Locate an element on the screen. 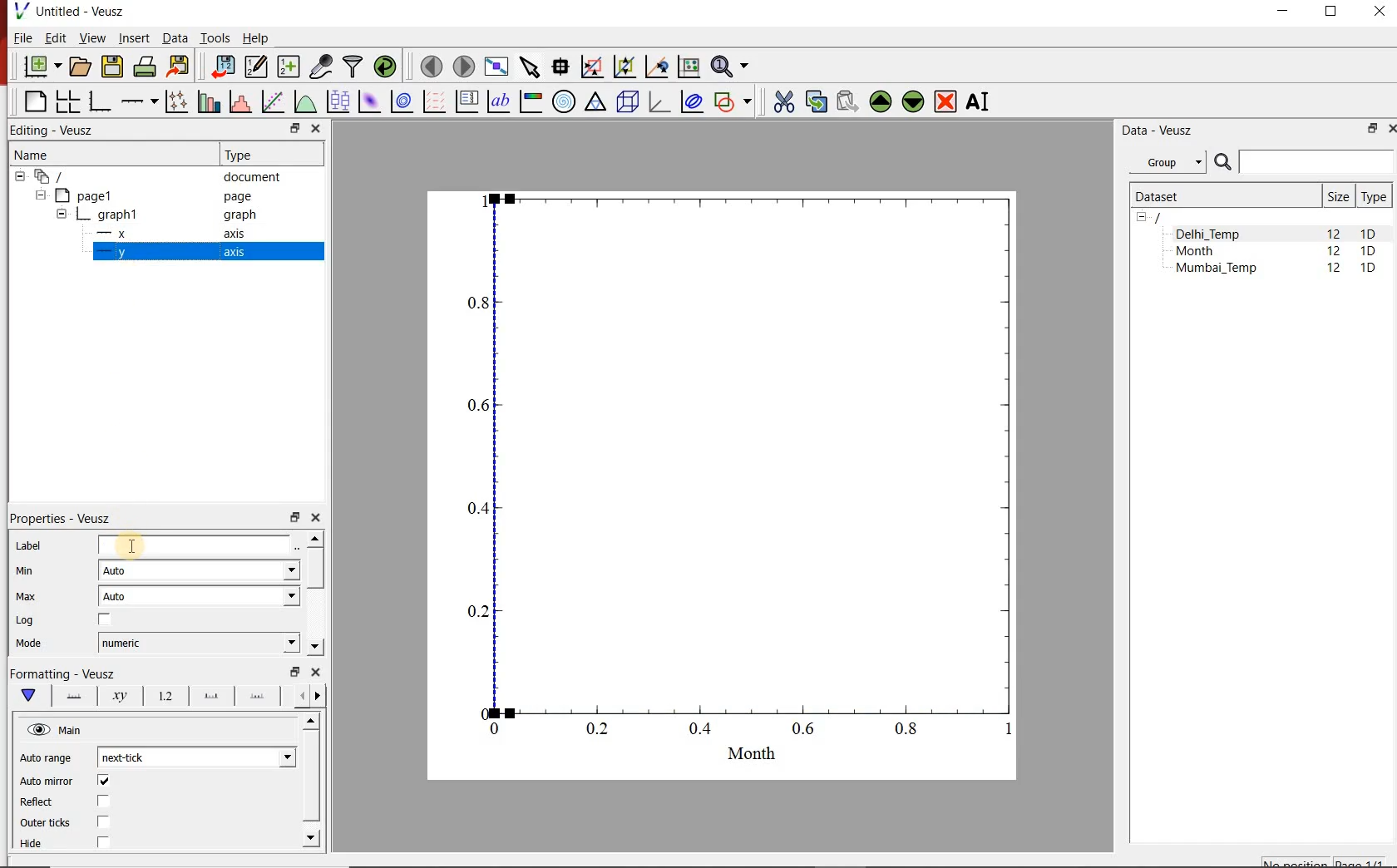 The width and height of the screenshot is (1397, 868). image color bar is located at coordinates (531, 101).